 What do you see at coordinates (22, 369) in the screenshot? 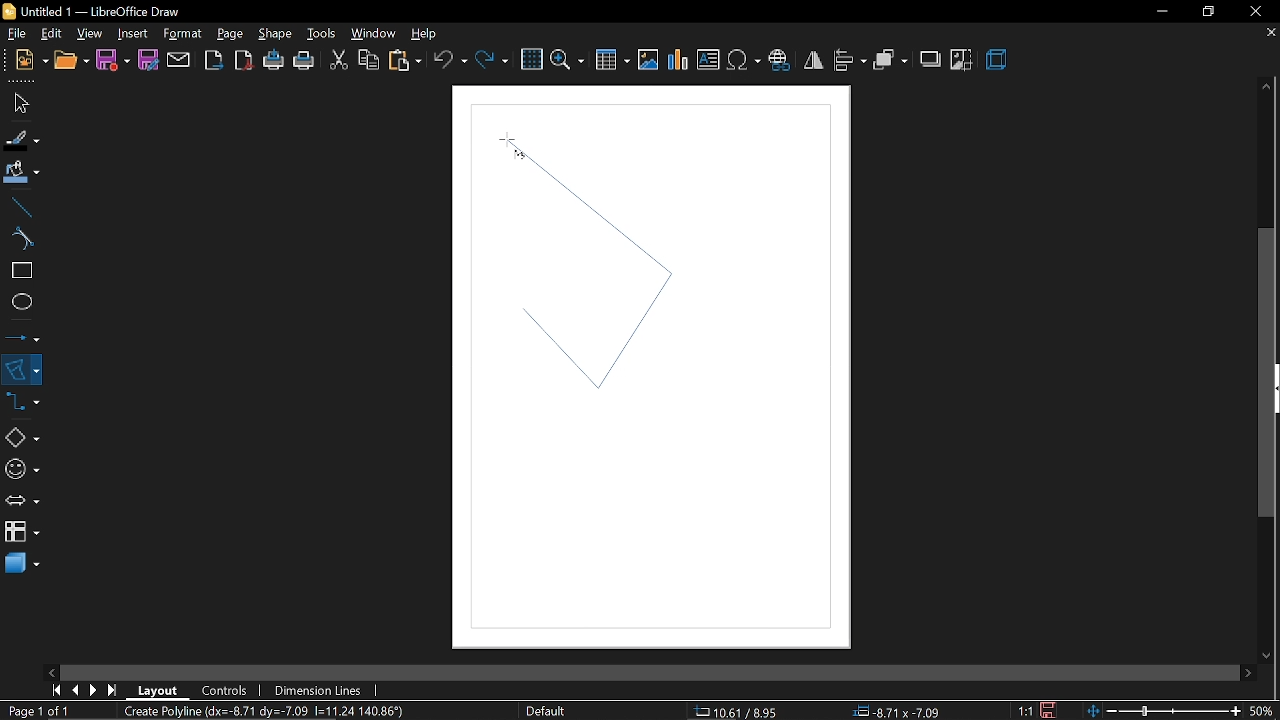
I see `curves and polygons` at bounding box center [22, 369].